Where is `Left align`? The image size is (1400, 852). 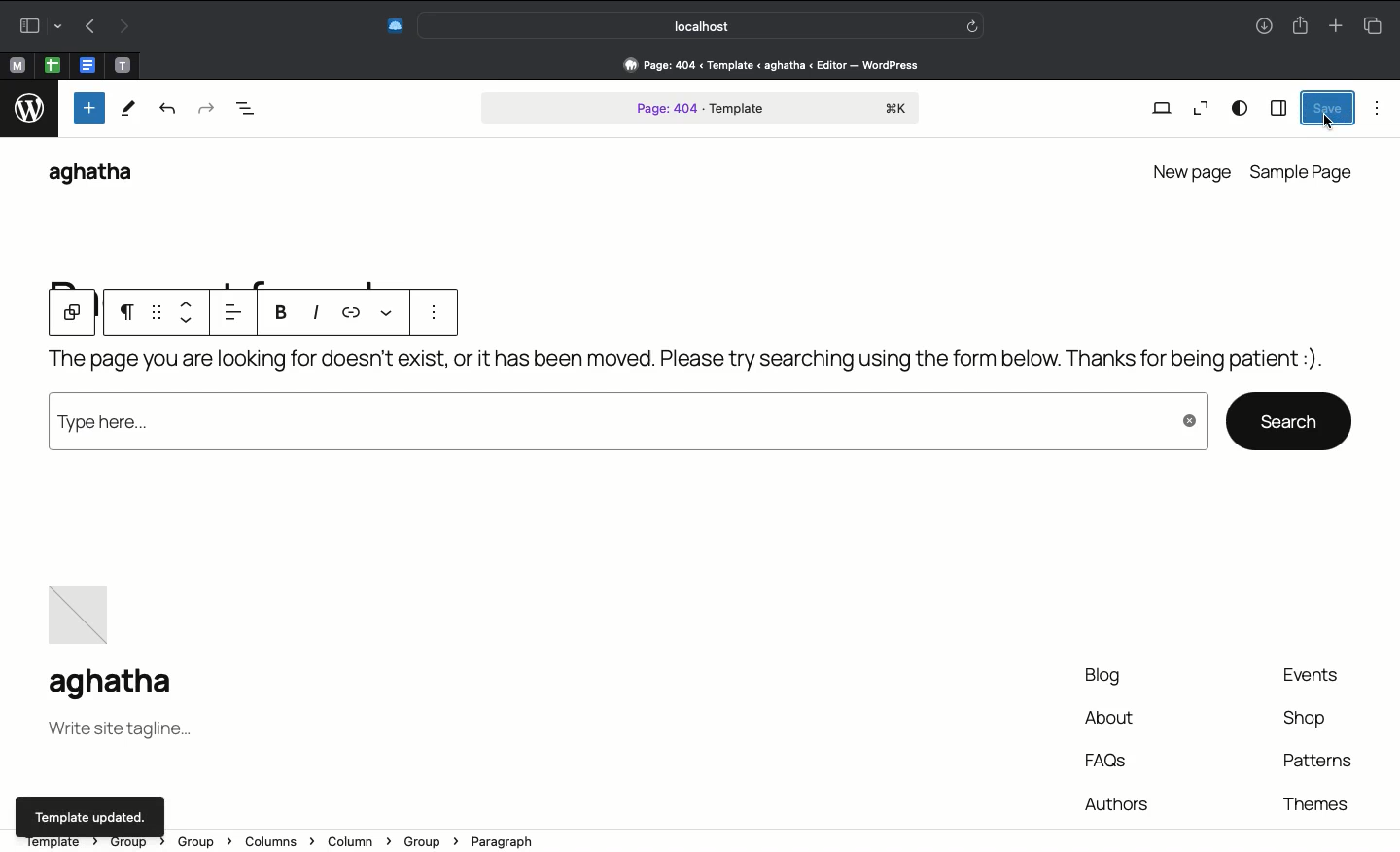 Left align is located at coordinates (238, 313).